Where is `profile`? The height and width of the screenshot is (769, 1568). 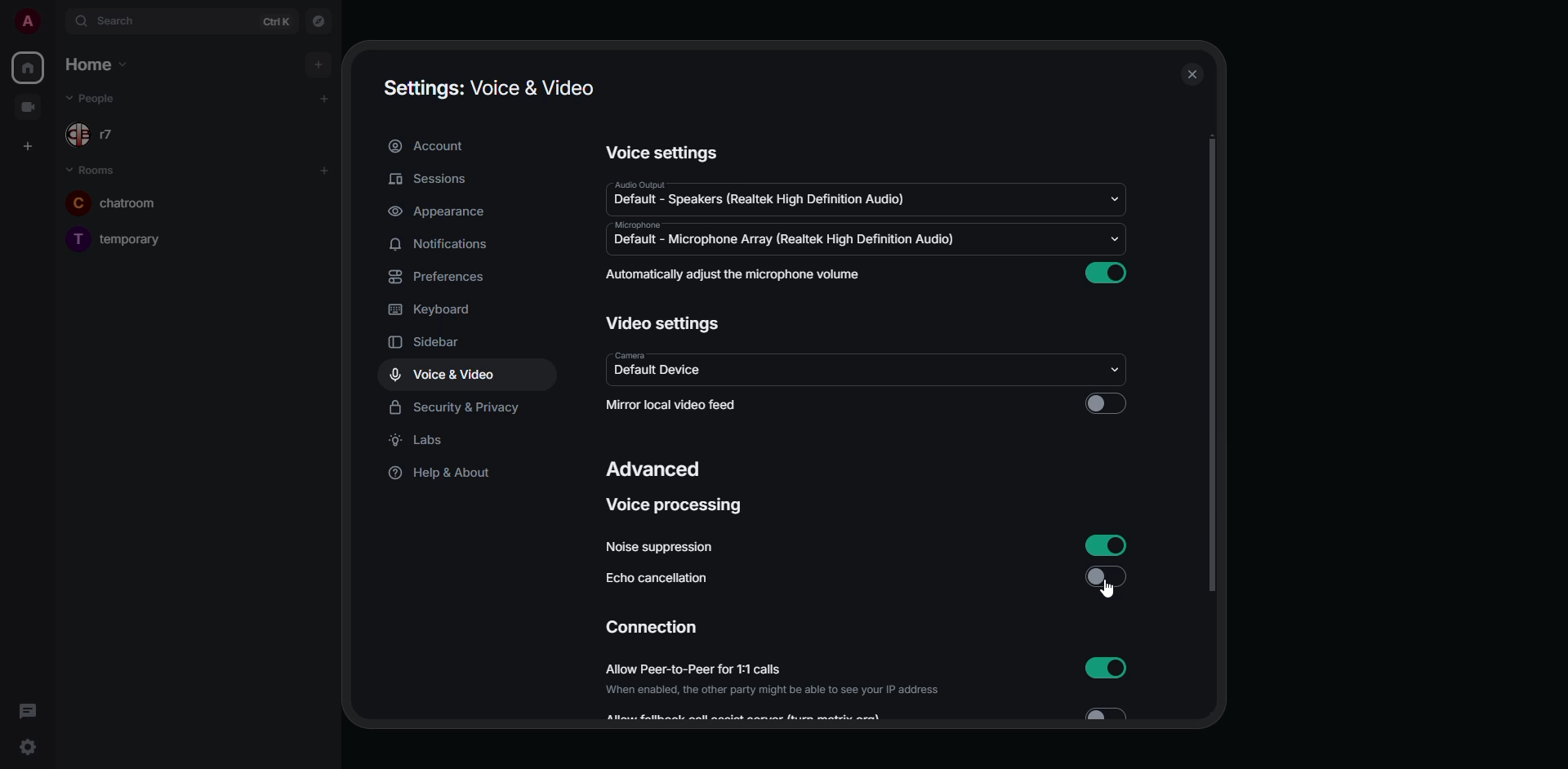 profile is located at coordinates (26, 24).